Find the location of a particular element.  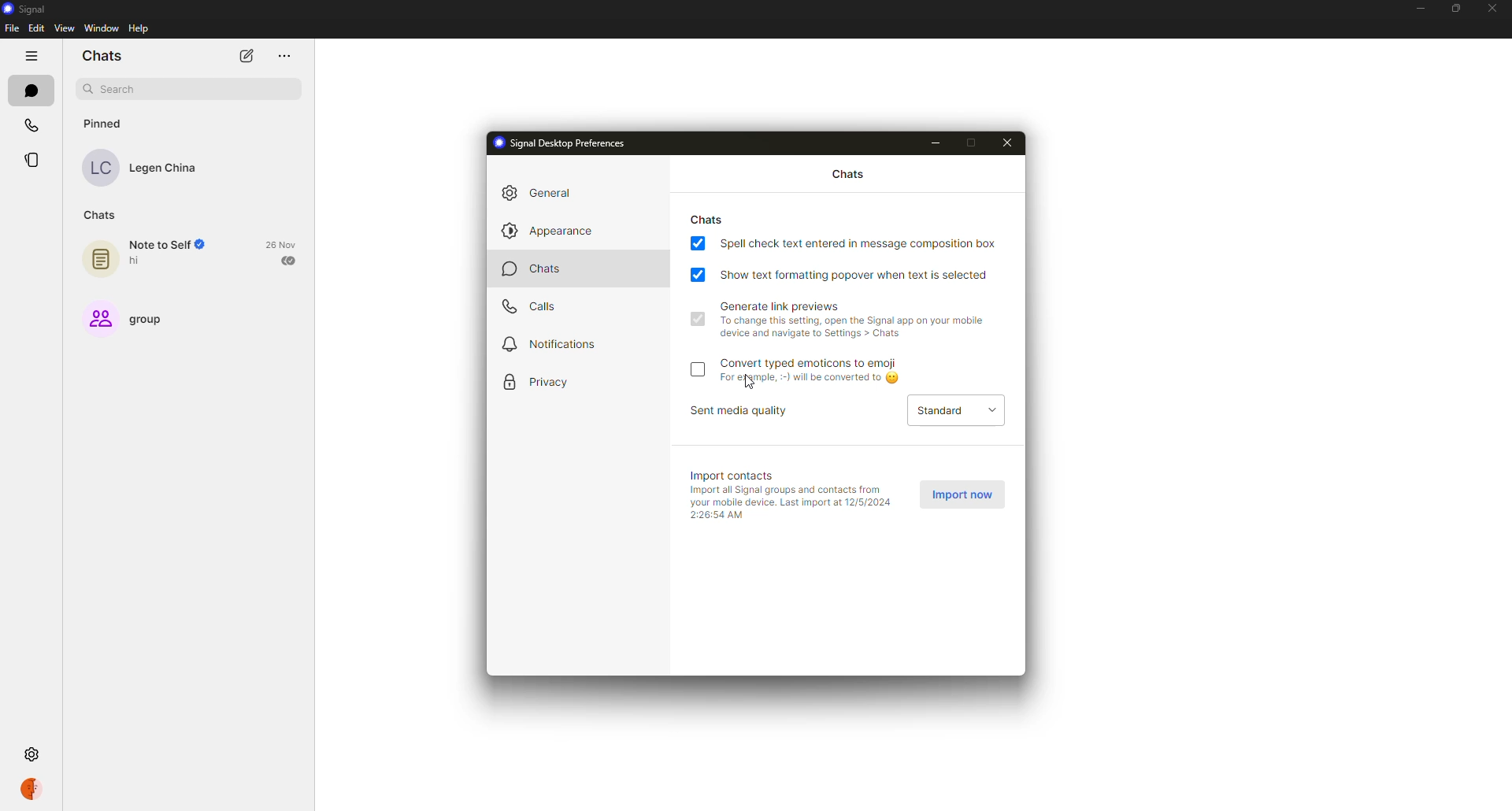

signal desktop preferences is located at coordinates (569, 143).